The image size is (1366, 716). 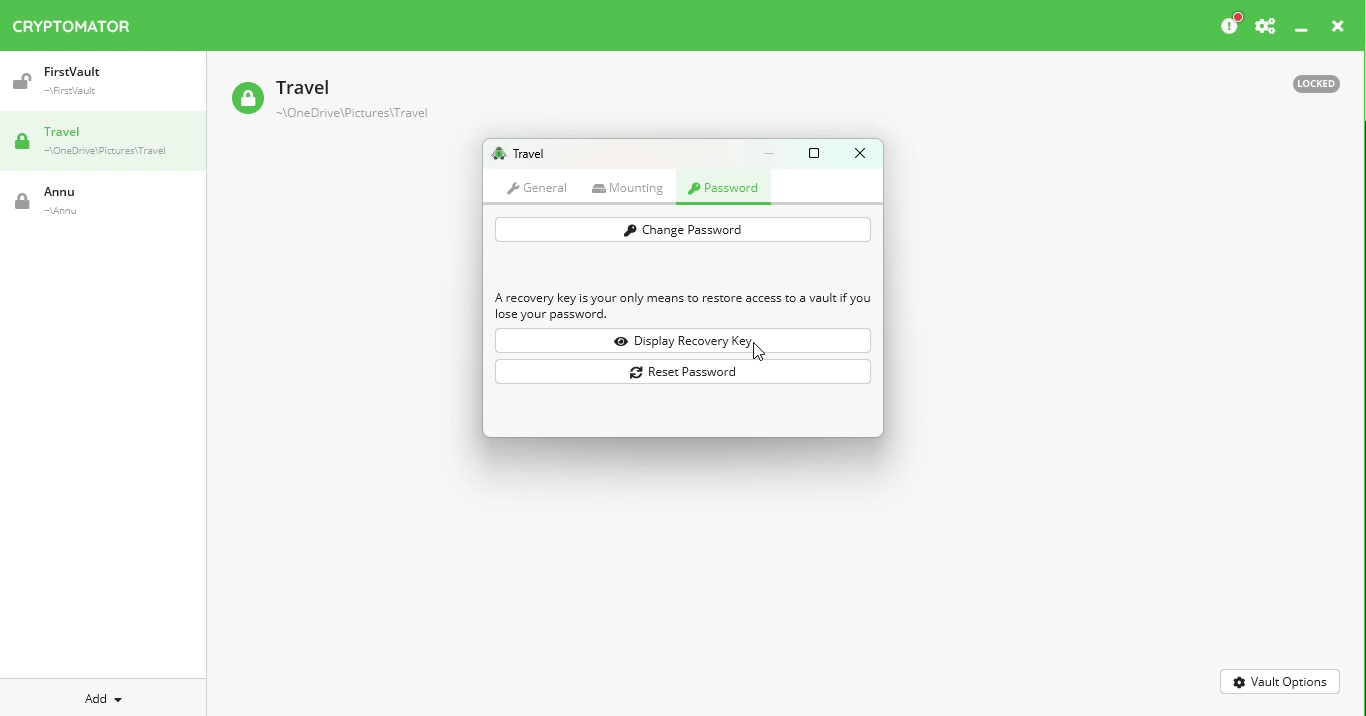 What do you see at coordinates (818, 152) in the screenshot?
I see `Maximize` at bounding box center [818, 152].